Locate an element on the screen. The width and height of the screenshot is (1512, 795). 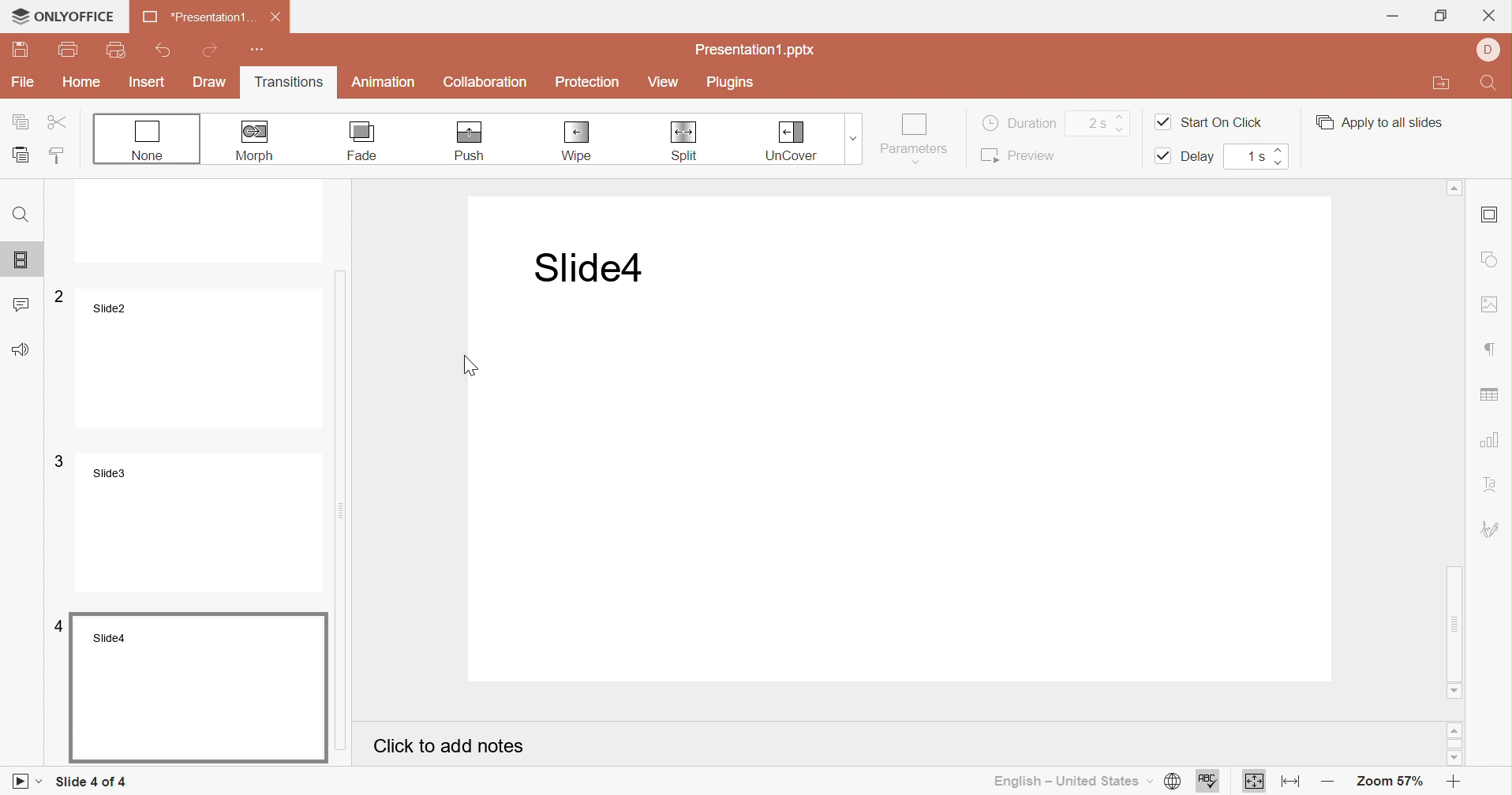
Insert shape is located at coordinates (1491, 259).